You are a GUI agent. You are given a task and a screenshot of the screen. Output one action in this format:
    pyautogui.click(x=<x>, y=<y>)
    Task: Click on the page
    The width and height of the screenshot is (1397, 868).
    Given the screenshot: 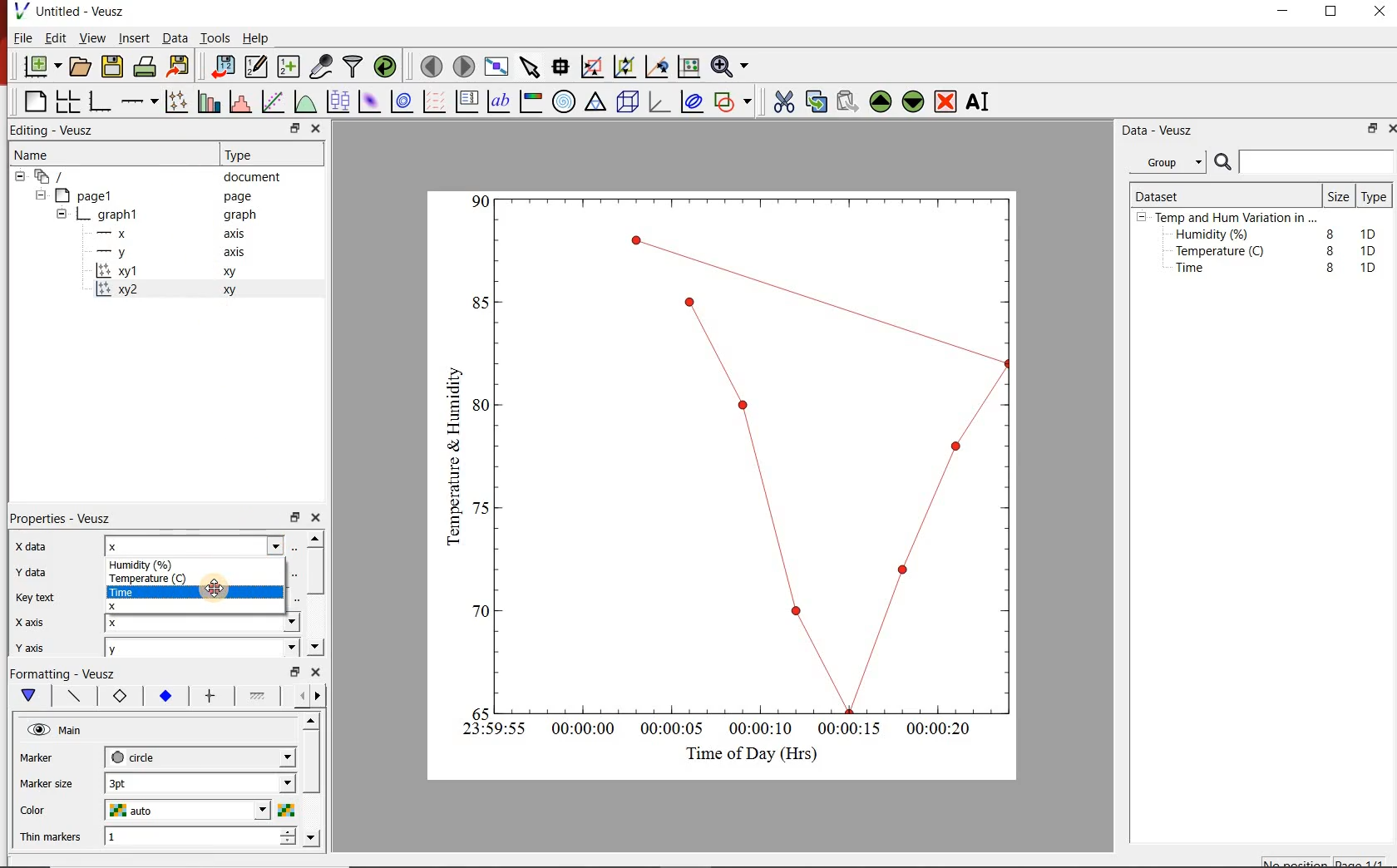 What is the action you would take?
    pyautogui.click(x=241, y=197)
    